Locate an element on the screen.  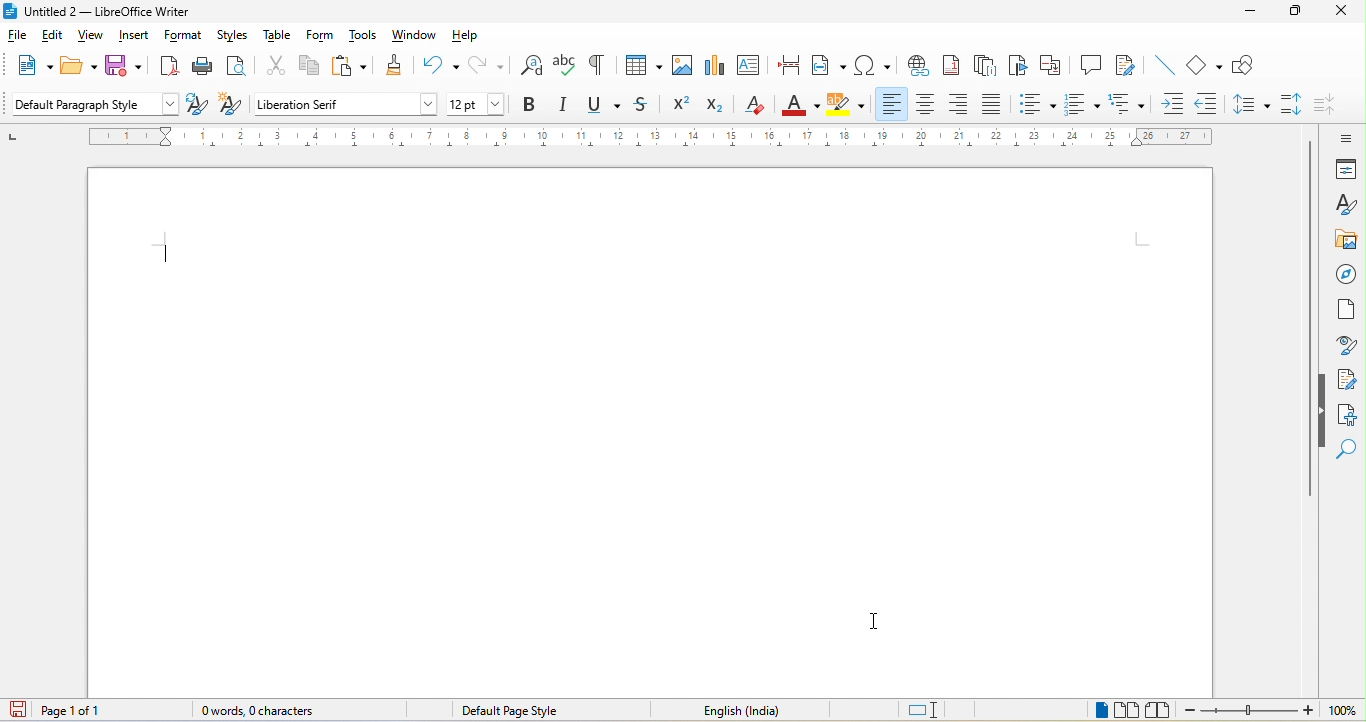
format is located at coordinates (185, 38).